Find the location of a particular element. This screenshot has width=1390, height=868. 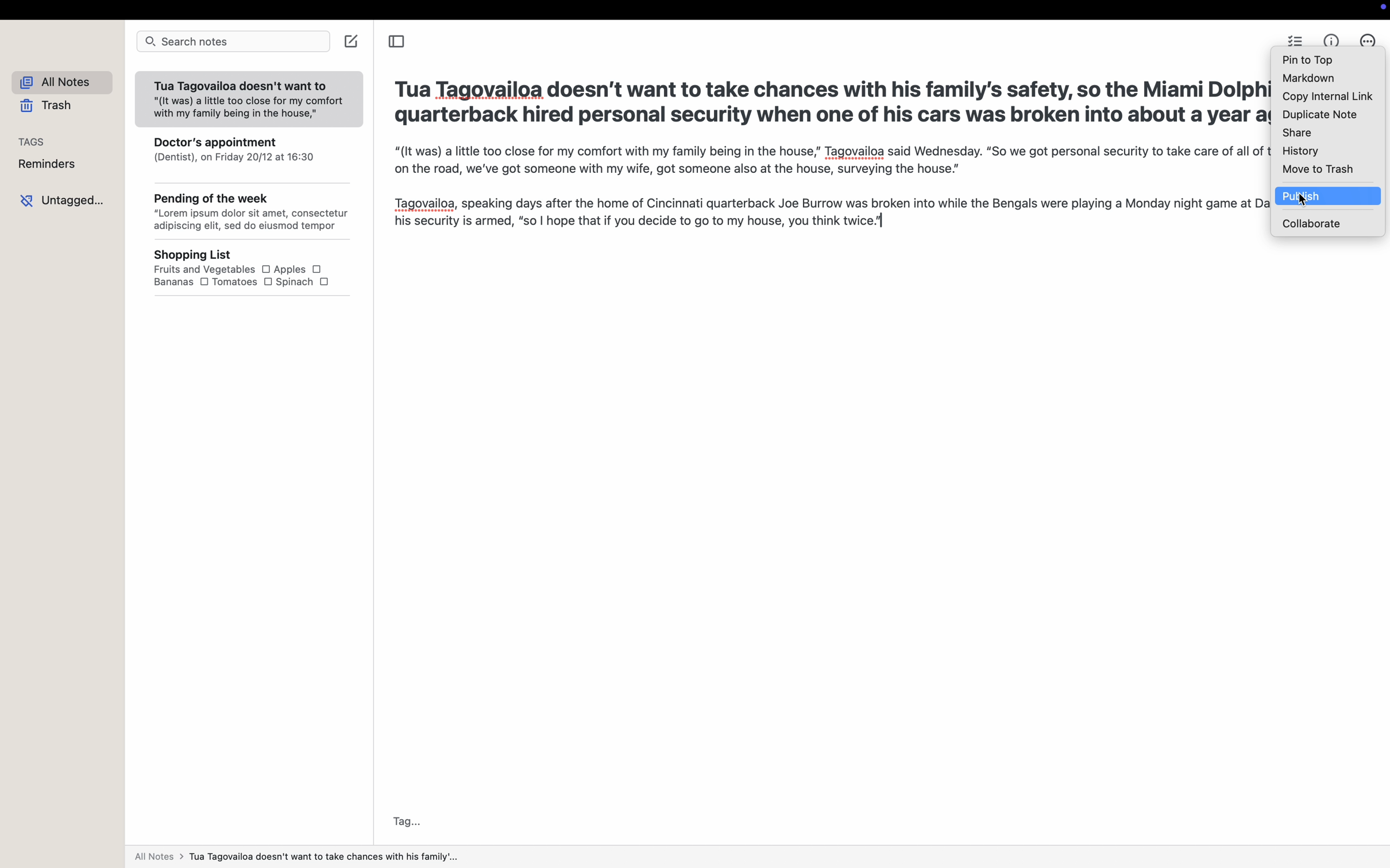

click on publish is located at coordinates (1330, 196).